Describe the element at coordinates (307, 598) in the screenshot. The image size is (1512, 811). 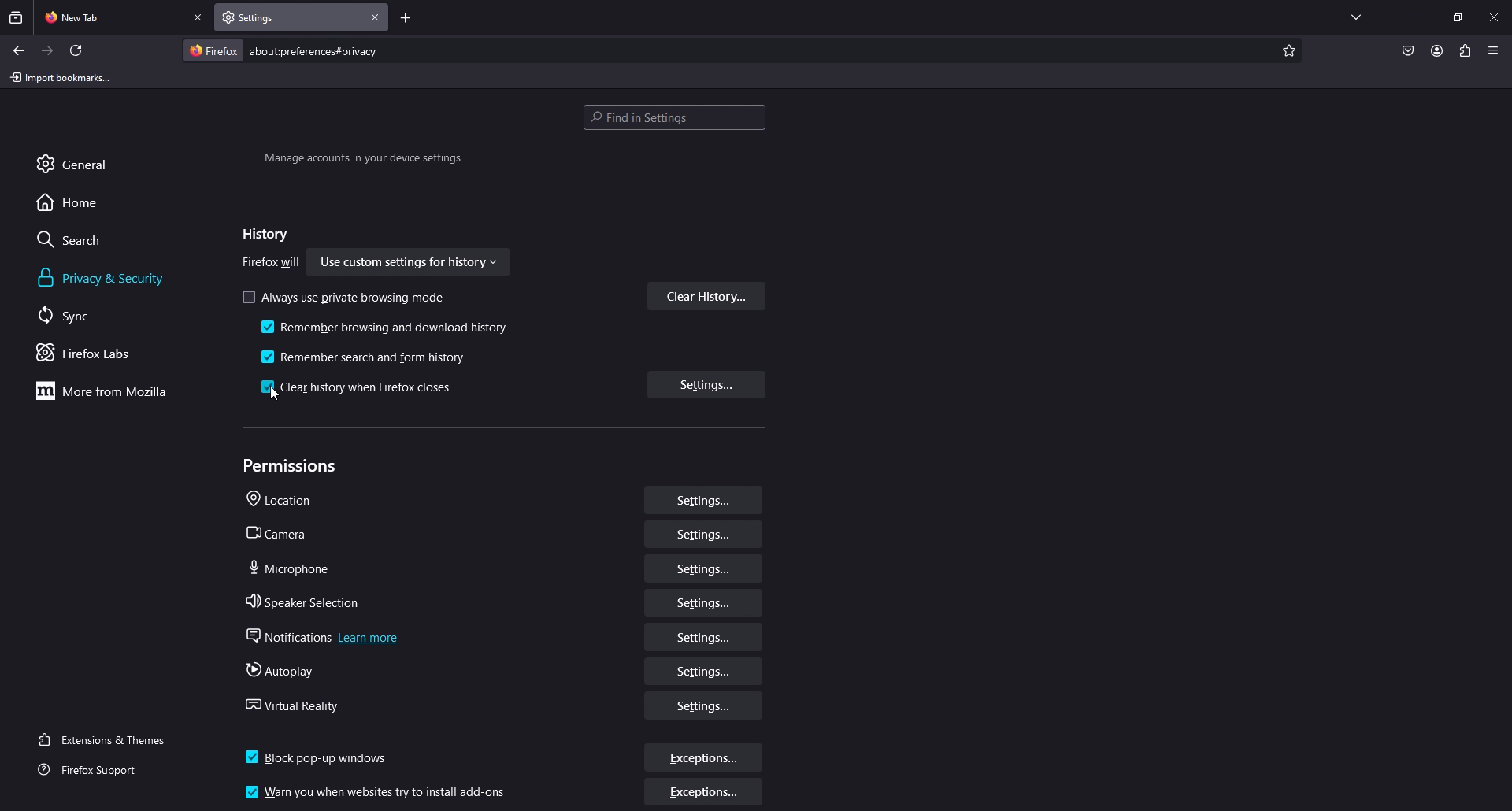
I see `speaker` at that location.